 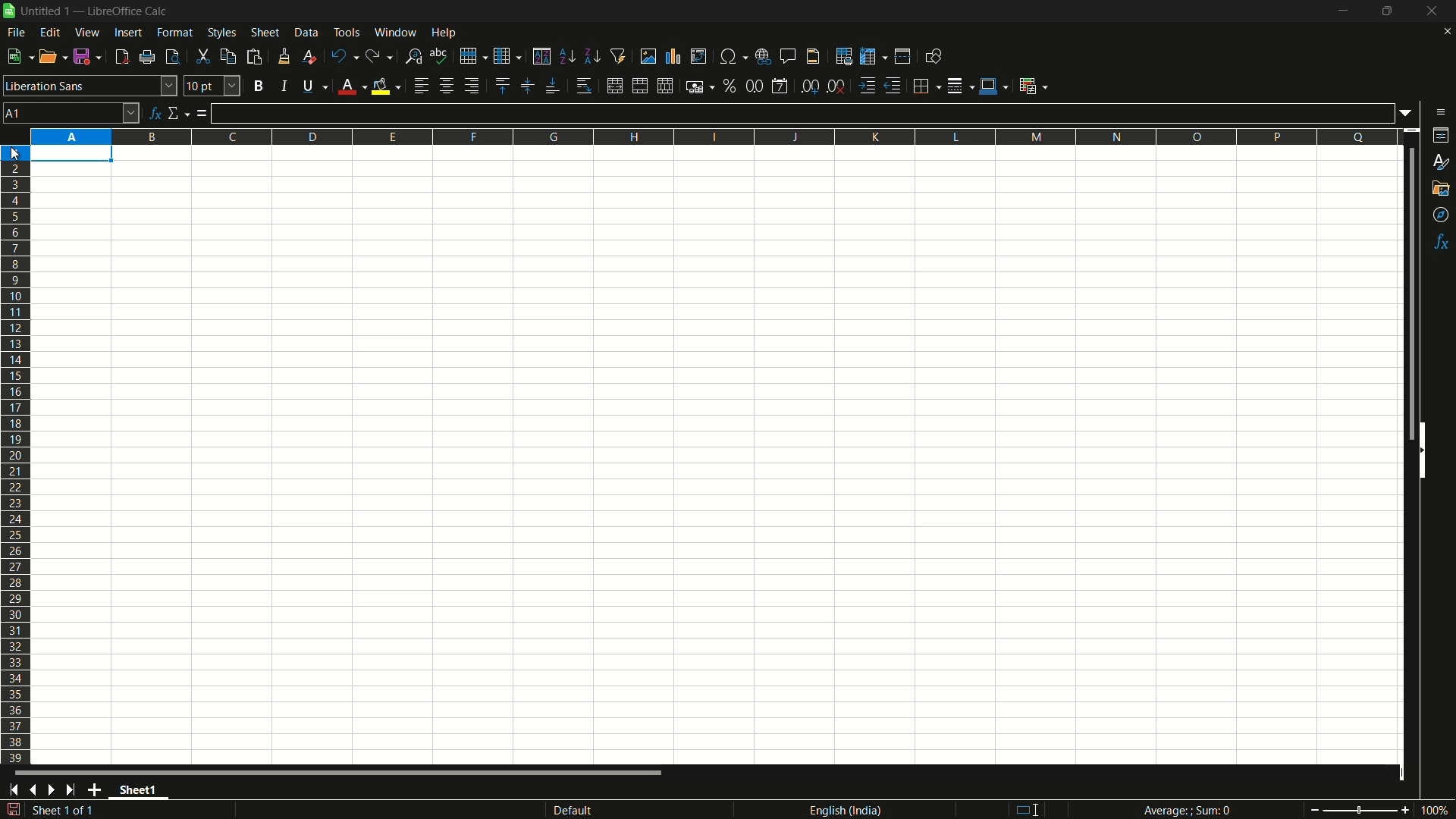 I want to click on font name, so click(x=90, y=86).